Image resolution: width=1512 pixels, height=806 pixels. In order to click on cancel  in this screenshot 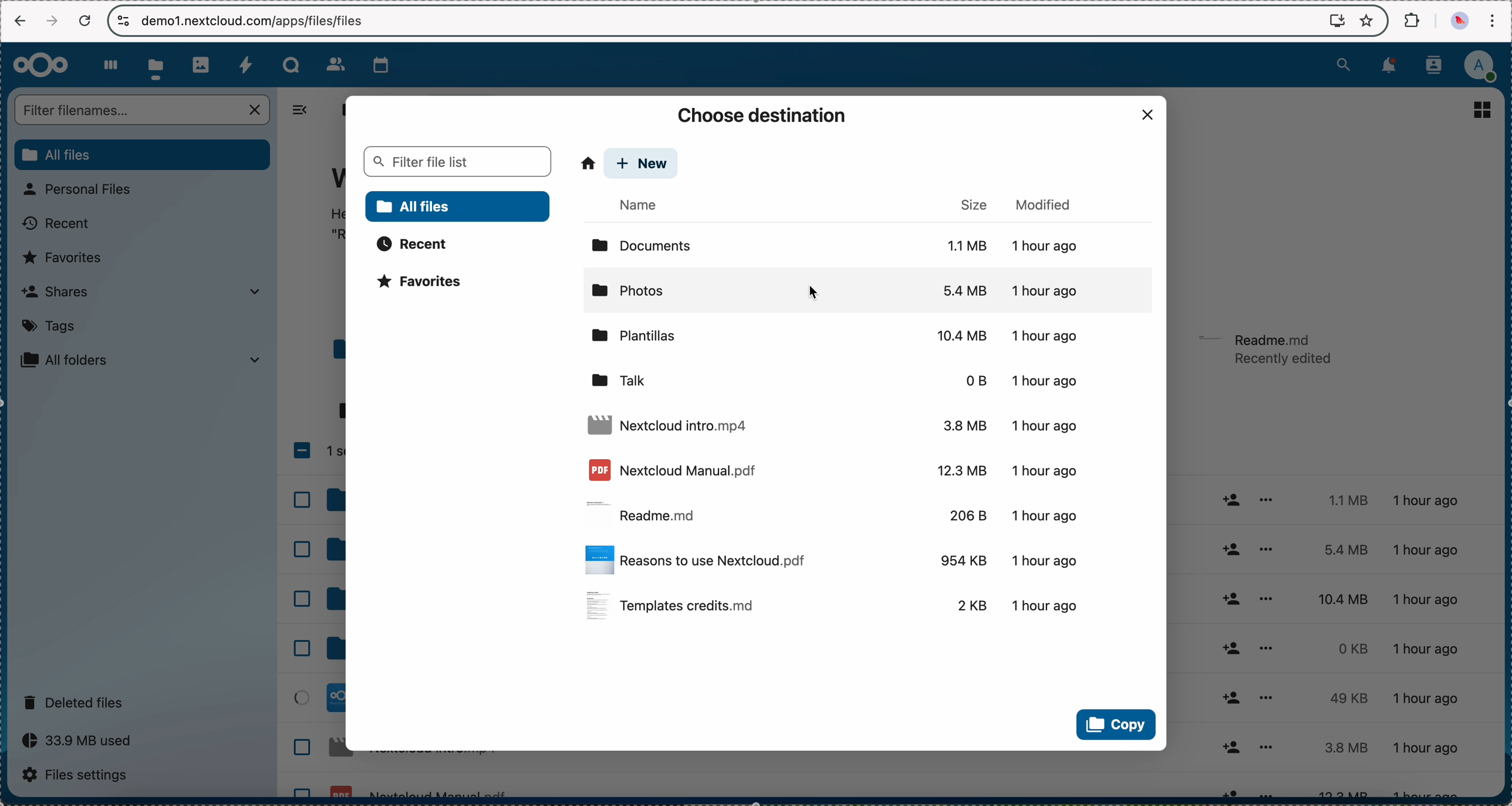, I will do `click(85, 21)`.